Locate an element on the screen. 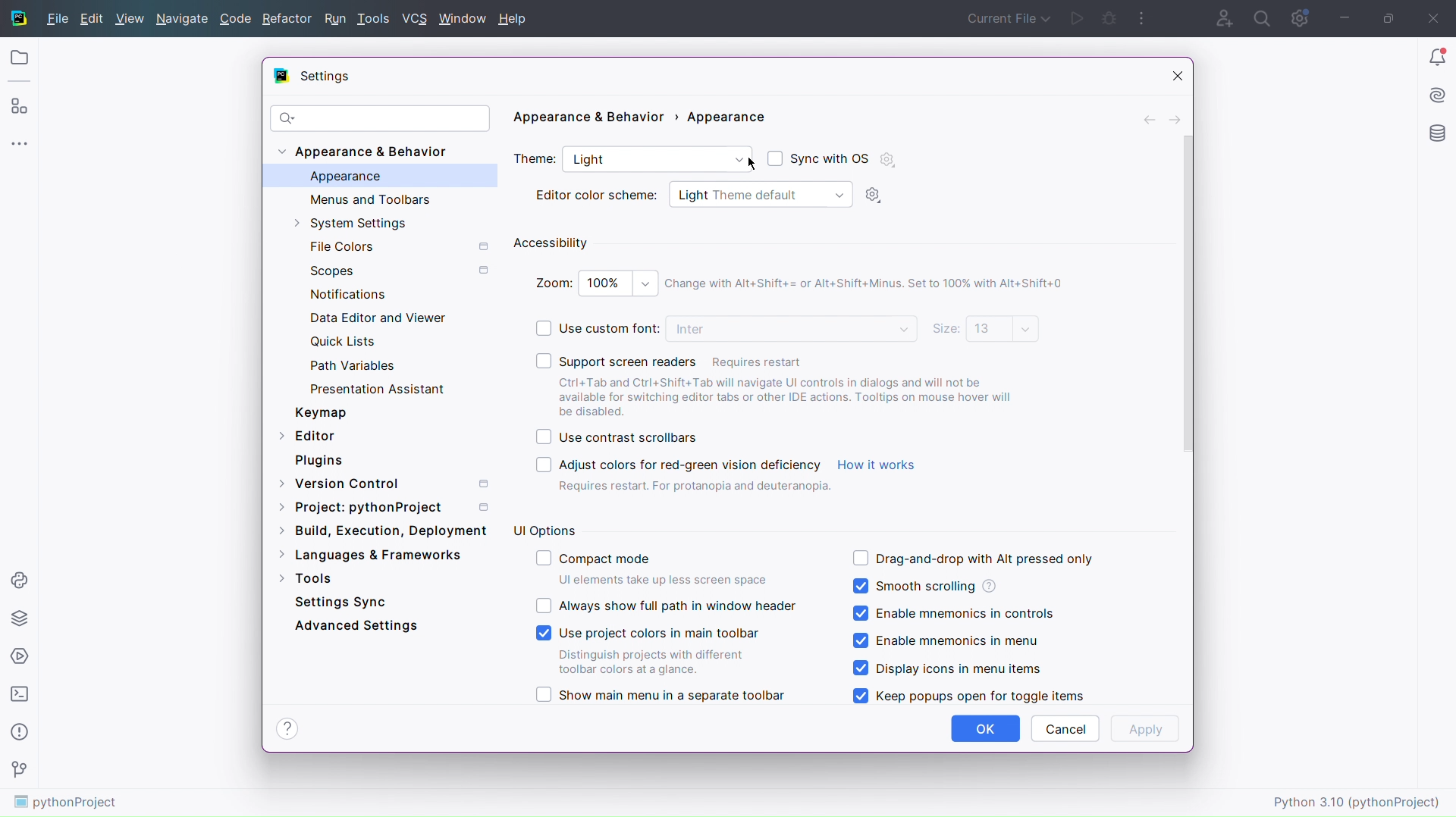 The height and width of the screenshot is (817, 1456). Appearance and Behavior - Appearance is located at coordinates (644, 121).